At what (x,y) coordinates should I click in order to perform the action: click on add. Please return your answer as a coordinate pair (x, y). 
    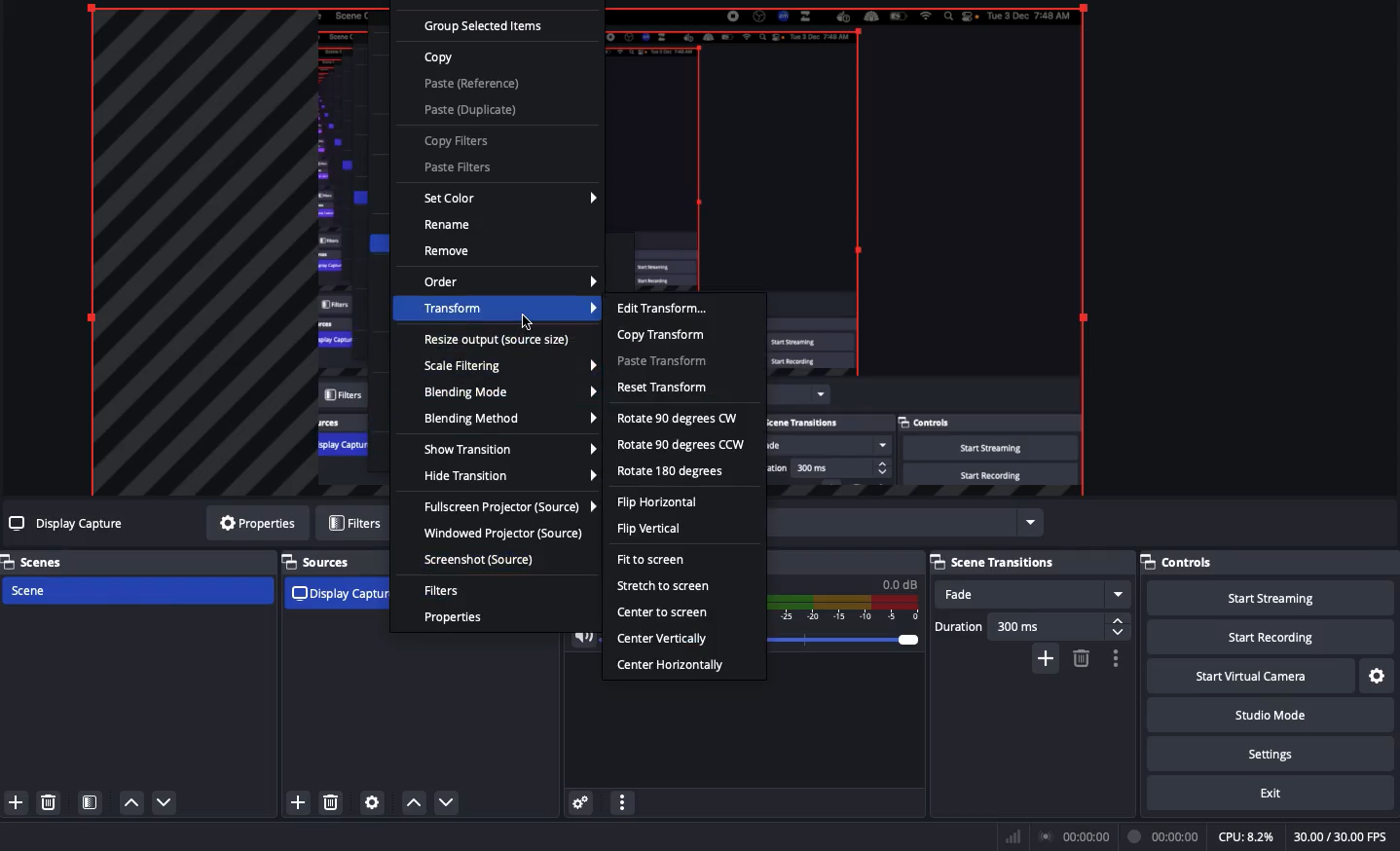
    Looking at the image, I should click on (1048, 663).